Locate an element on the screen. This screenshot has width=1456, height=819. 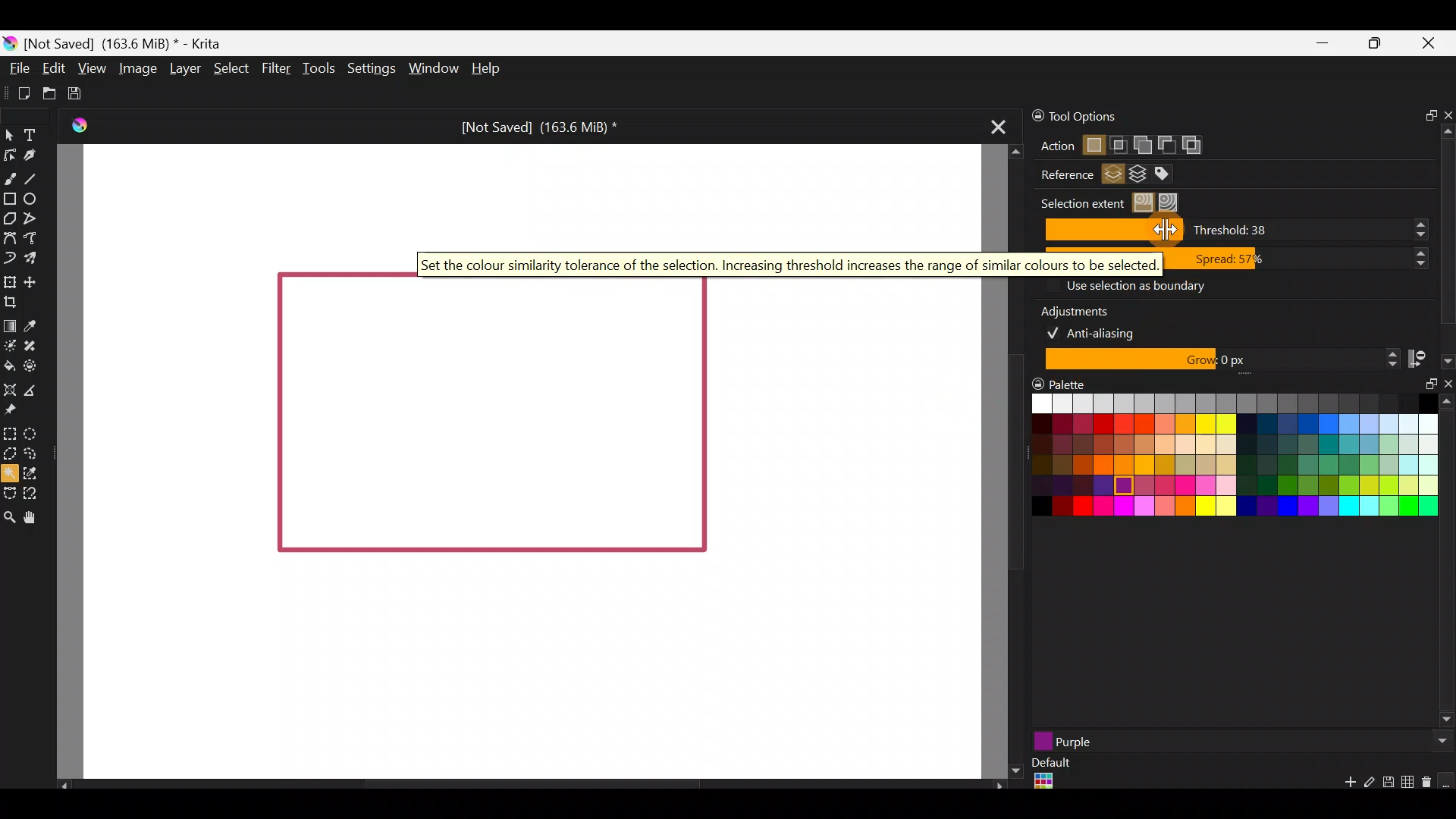
Window is located at coordinates (431, 67).